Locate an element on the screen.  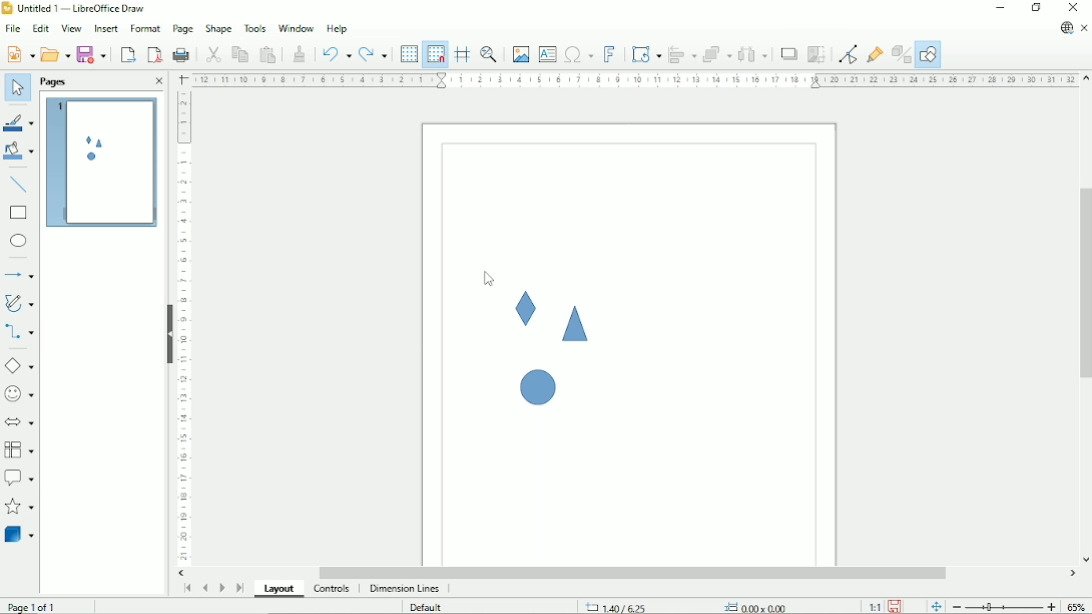
Snap to grid is located at coordinates (435, 54).